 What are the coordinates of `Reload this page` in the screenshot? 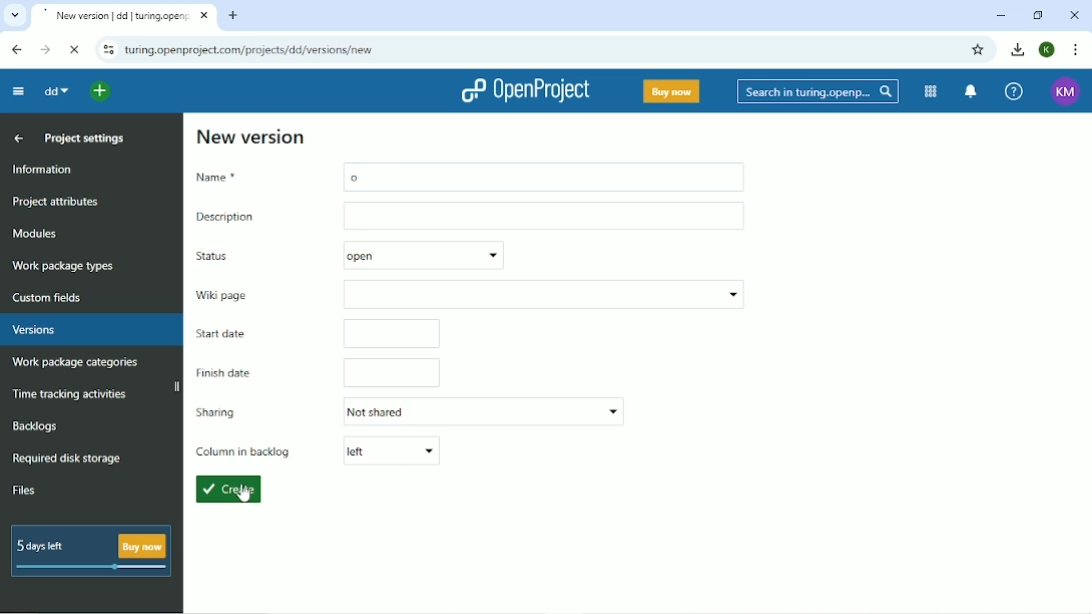 It's located at (74, 50).